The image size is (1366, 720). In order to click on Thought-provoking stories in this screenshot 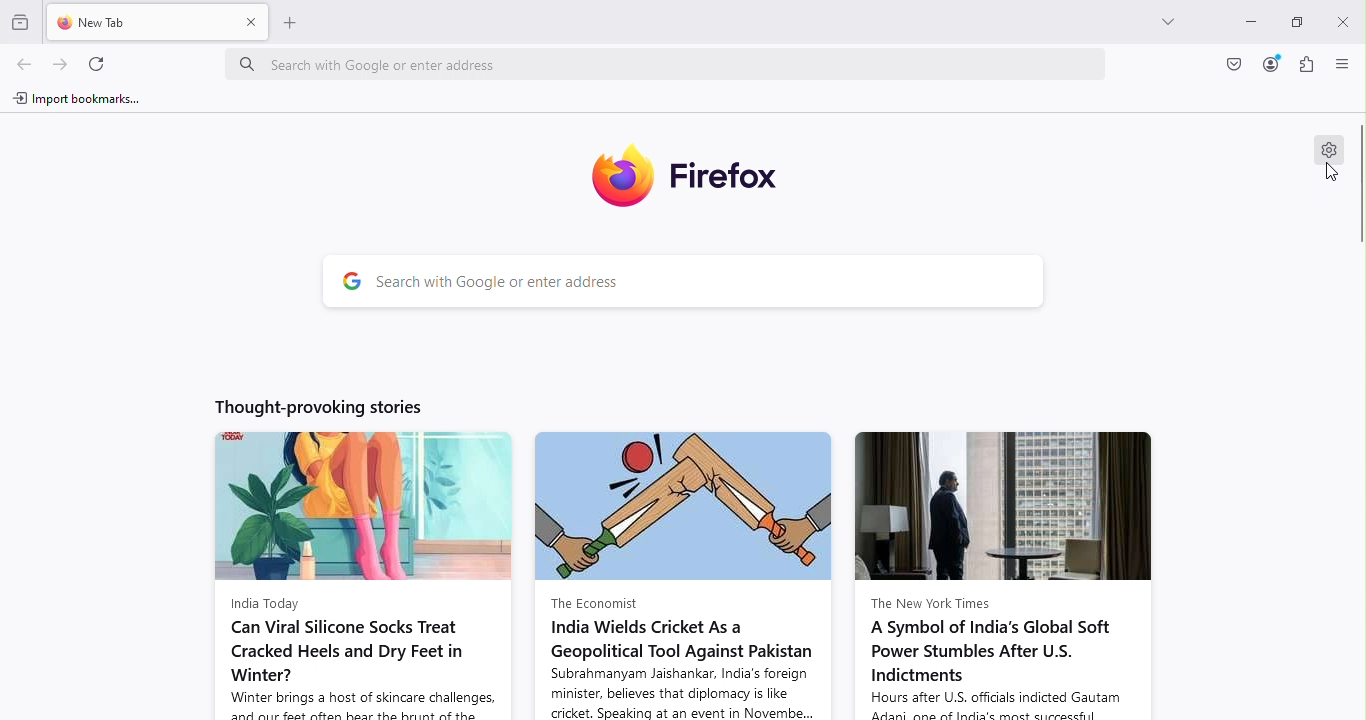, I will do `click(308, 405)`.